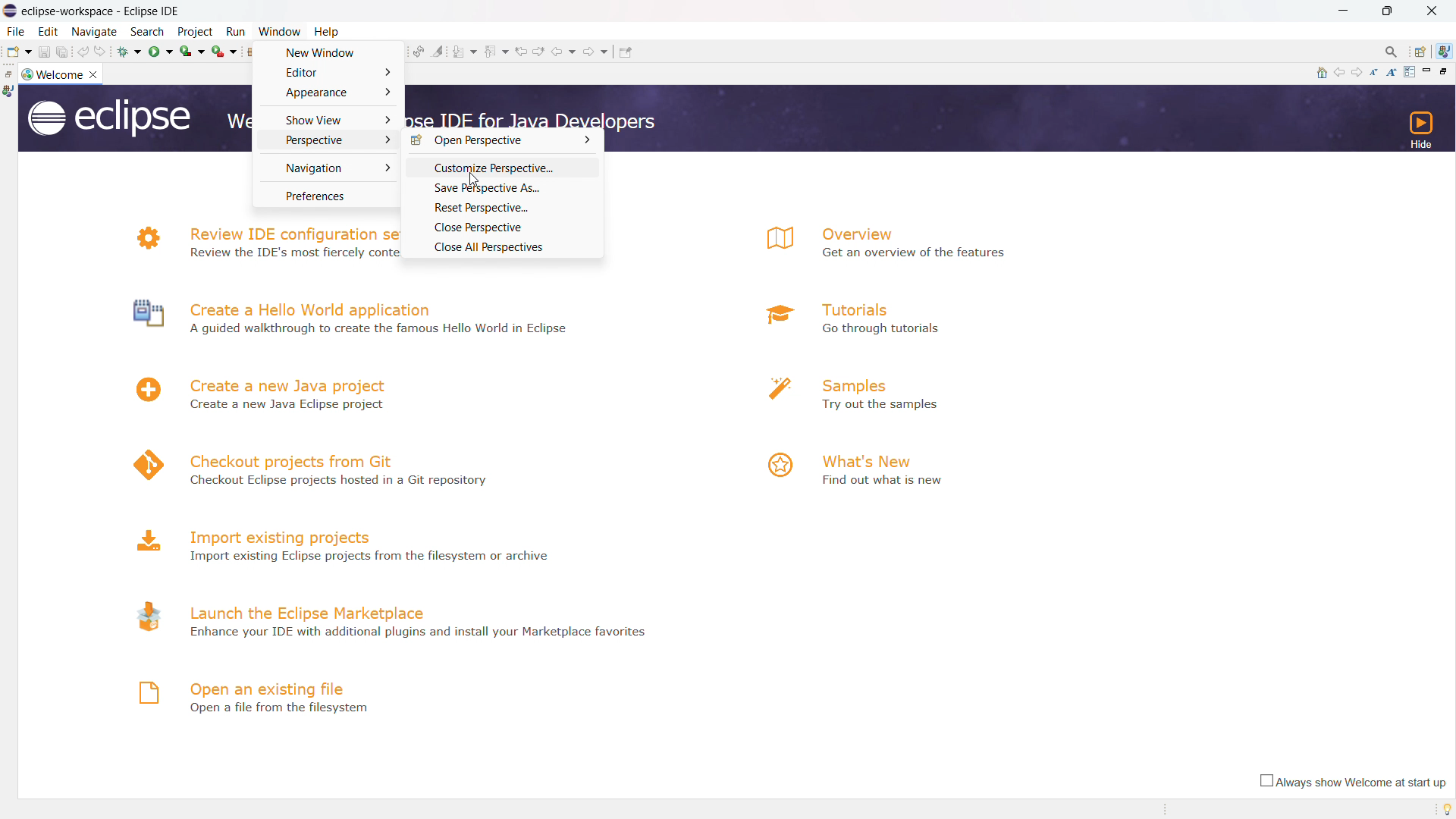 This screenshot has height=819, width=1456. I want to click on logo, so click(144, 615).